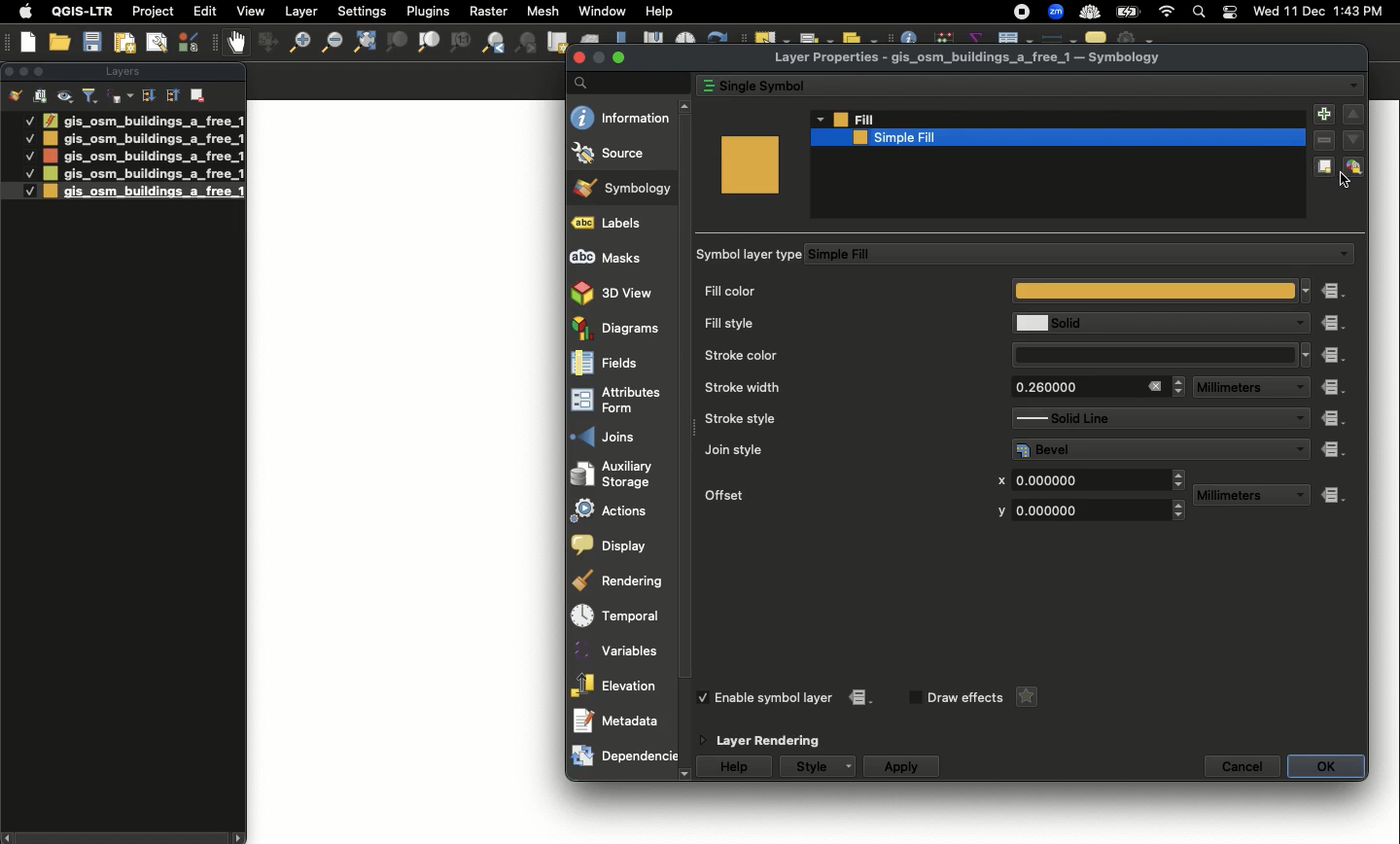 This screenshot has width=1400, height=844. Describe the element at coordinates (998, 511) in the screenshot. I see `y` at that location.